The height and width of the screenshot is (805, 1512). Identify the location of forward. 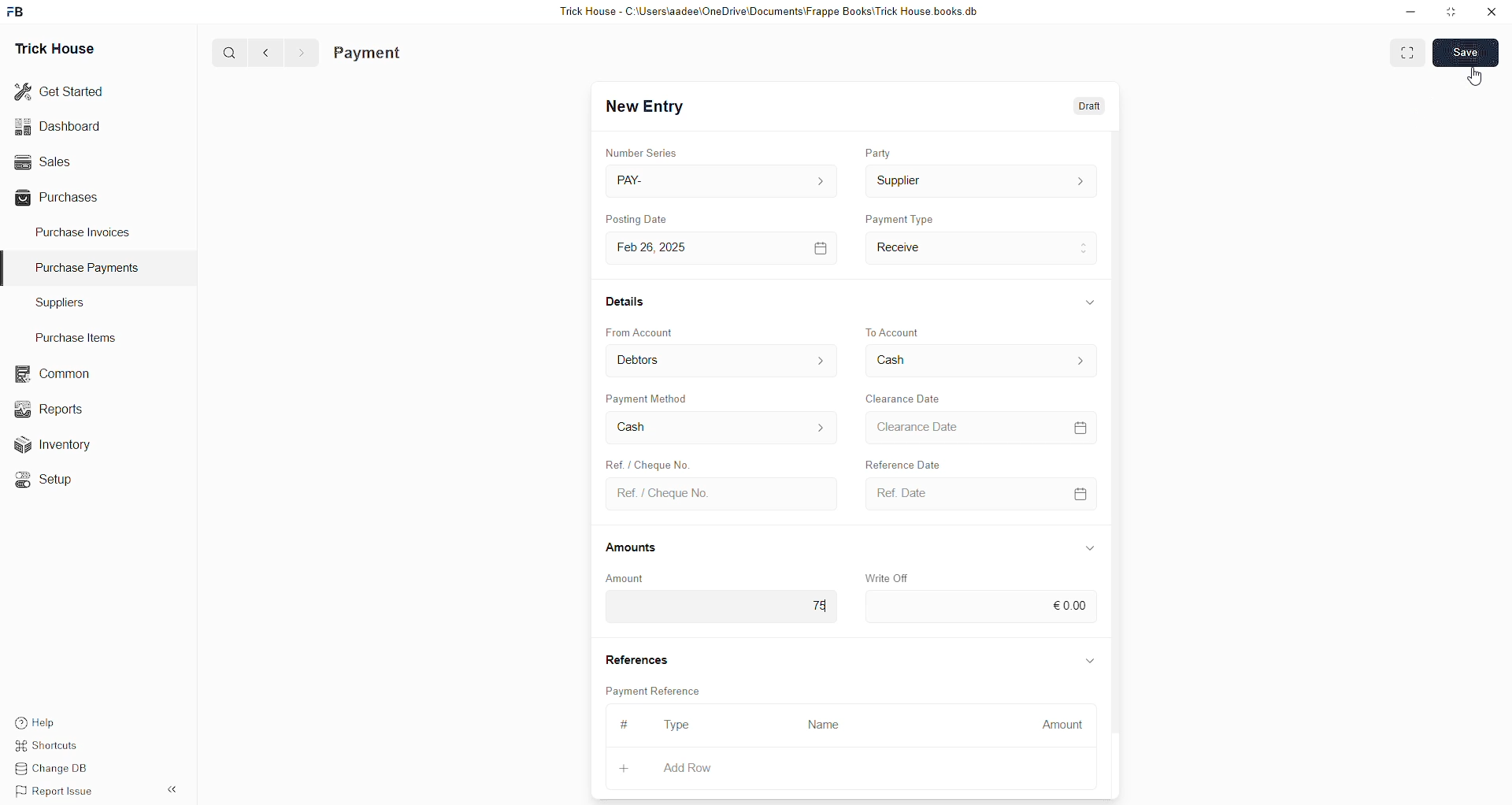
(301, 53).